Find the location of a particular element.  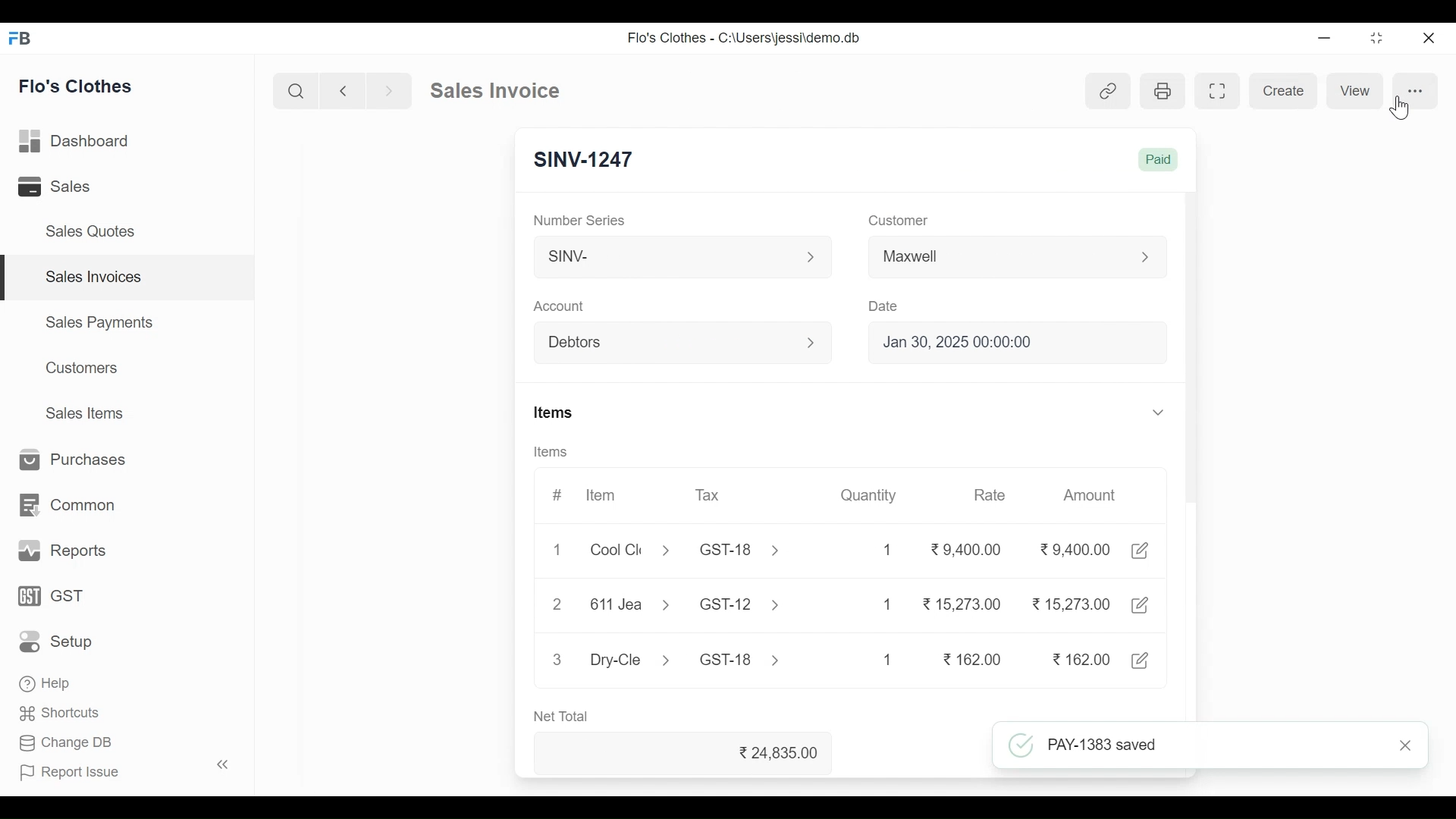

Sales Invoice is located at coordinates (494, 91).